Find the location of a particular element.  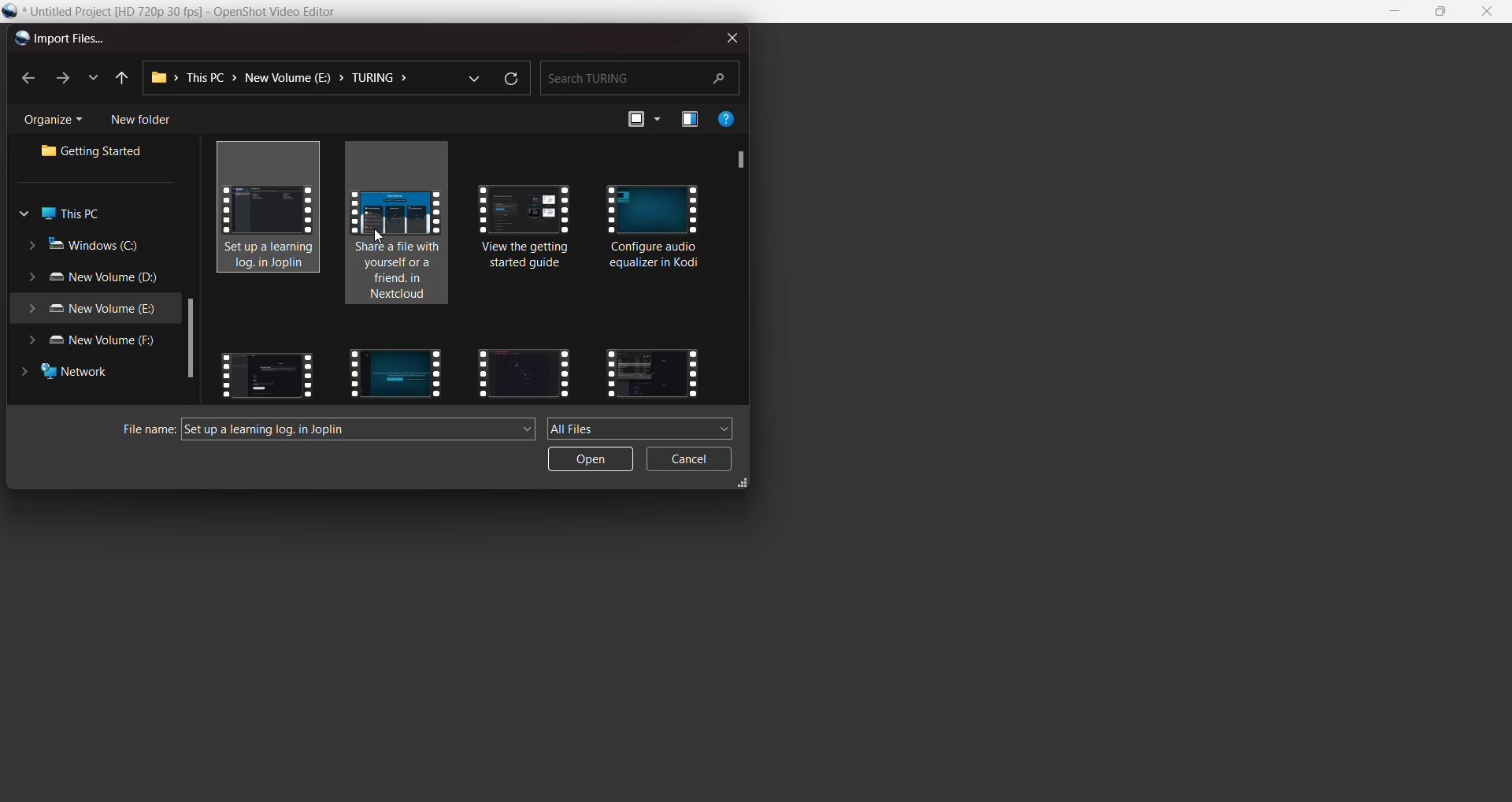

selected video is located at coordinates (274, 210).